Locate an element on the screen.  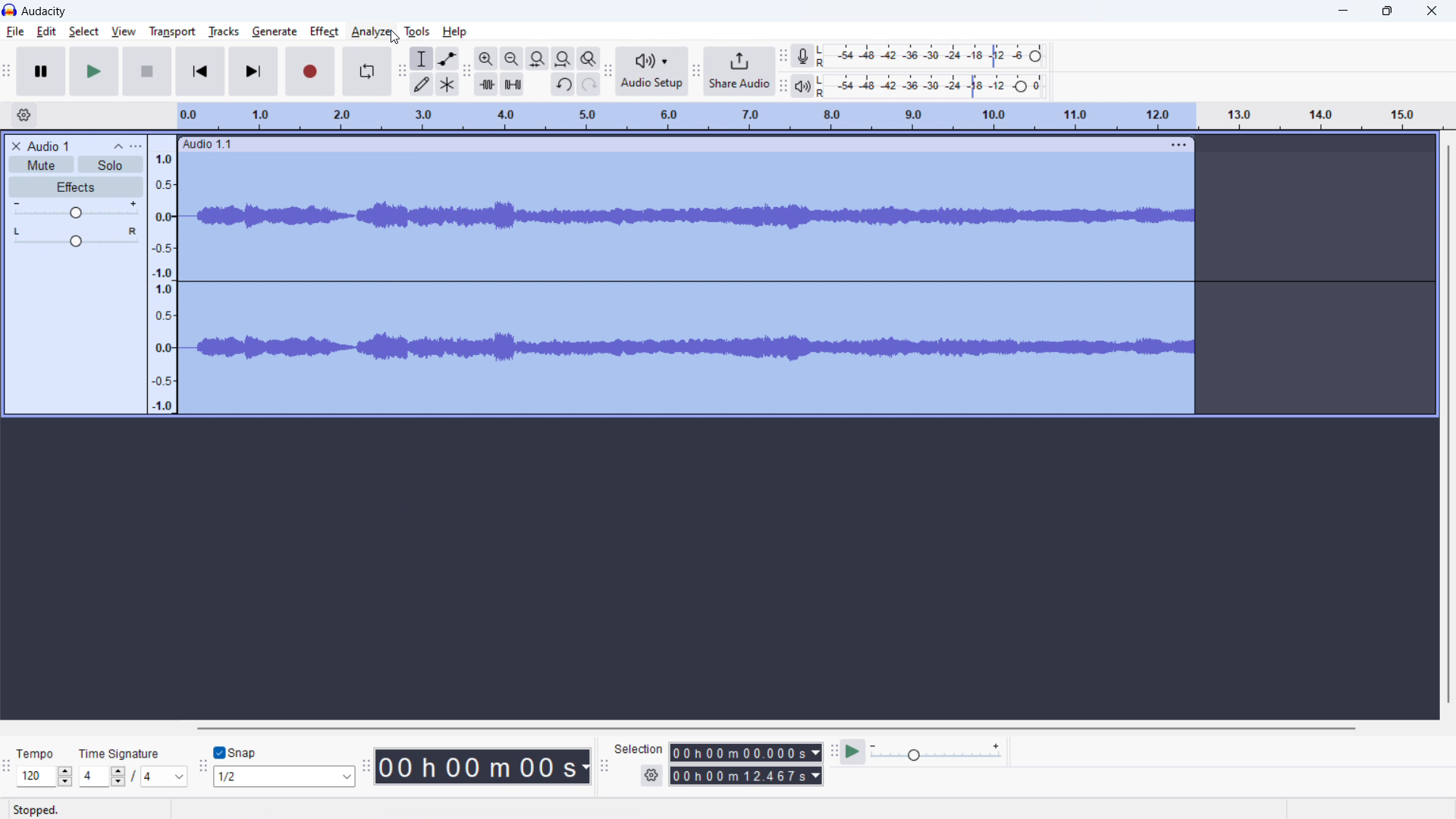
skip to start is located at coordinates (200, 71).